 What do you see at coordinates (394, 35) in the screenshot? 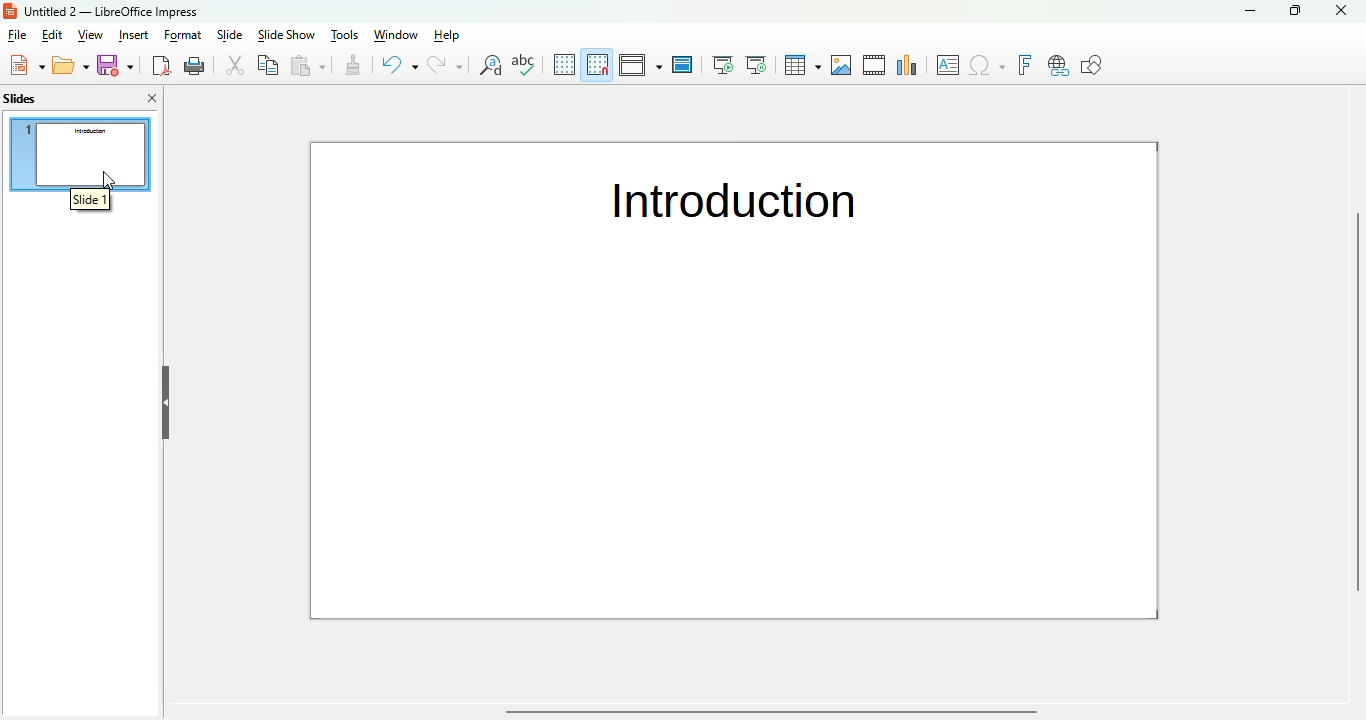
I see `window` at bounding box center [394, 35].